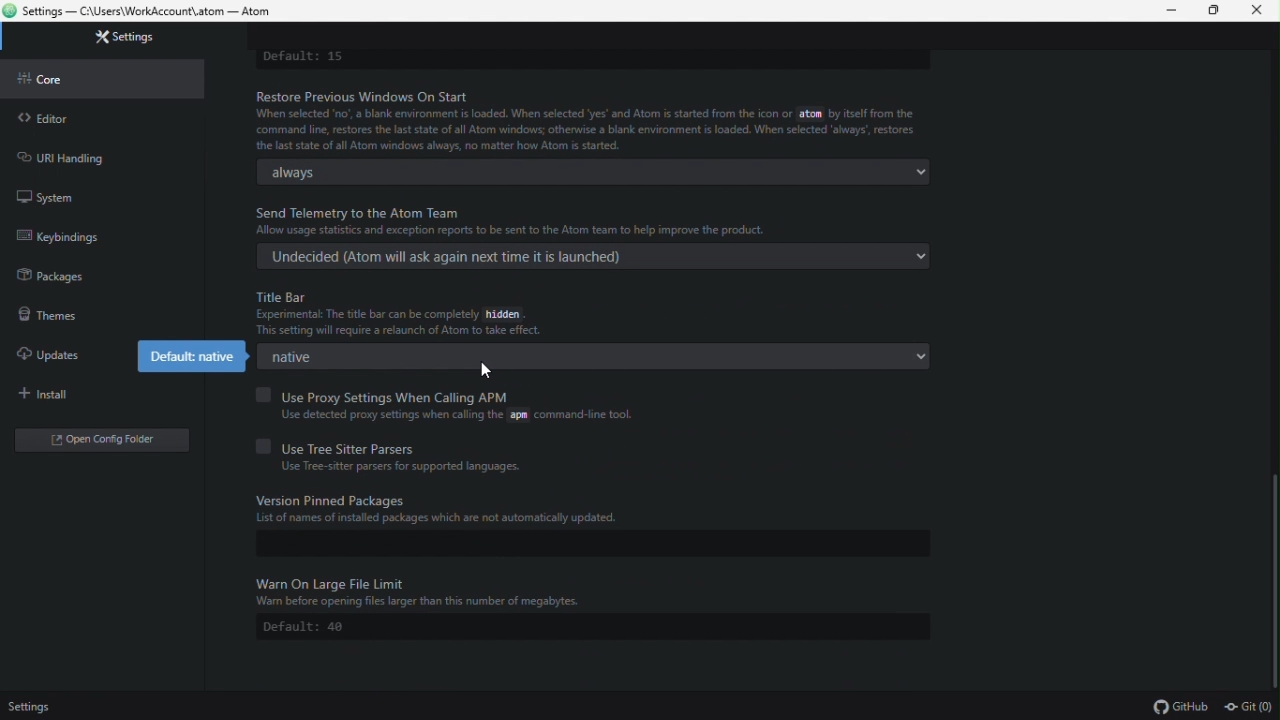  What do you see at coordinates (595, 172) in the screenshot?
I see `always` at bounding box center [595, 172].